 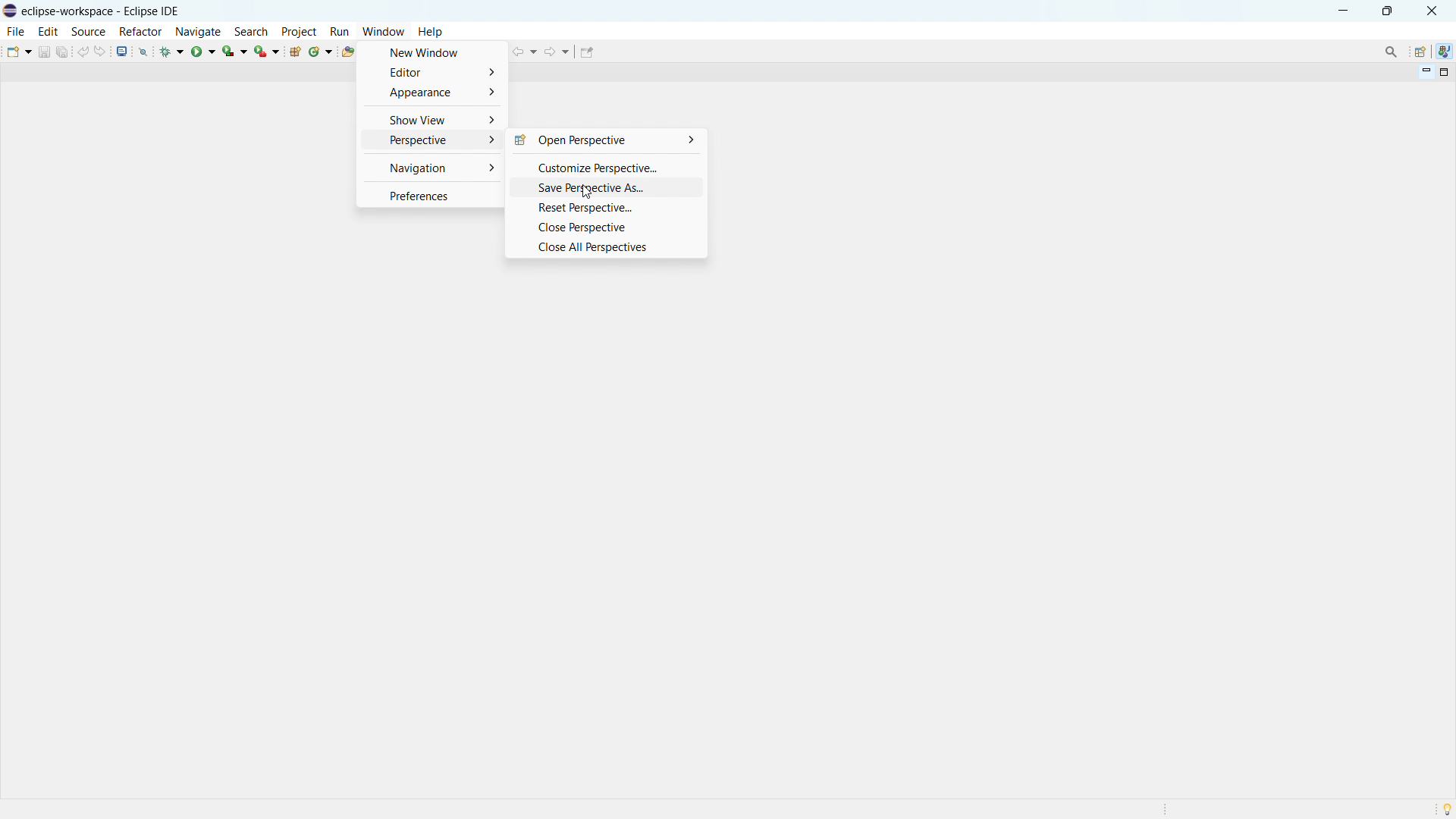 I want to click on navigation, so click(x=432, y=168).